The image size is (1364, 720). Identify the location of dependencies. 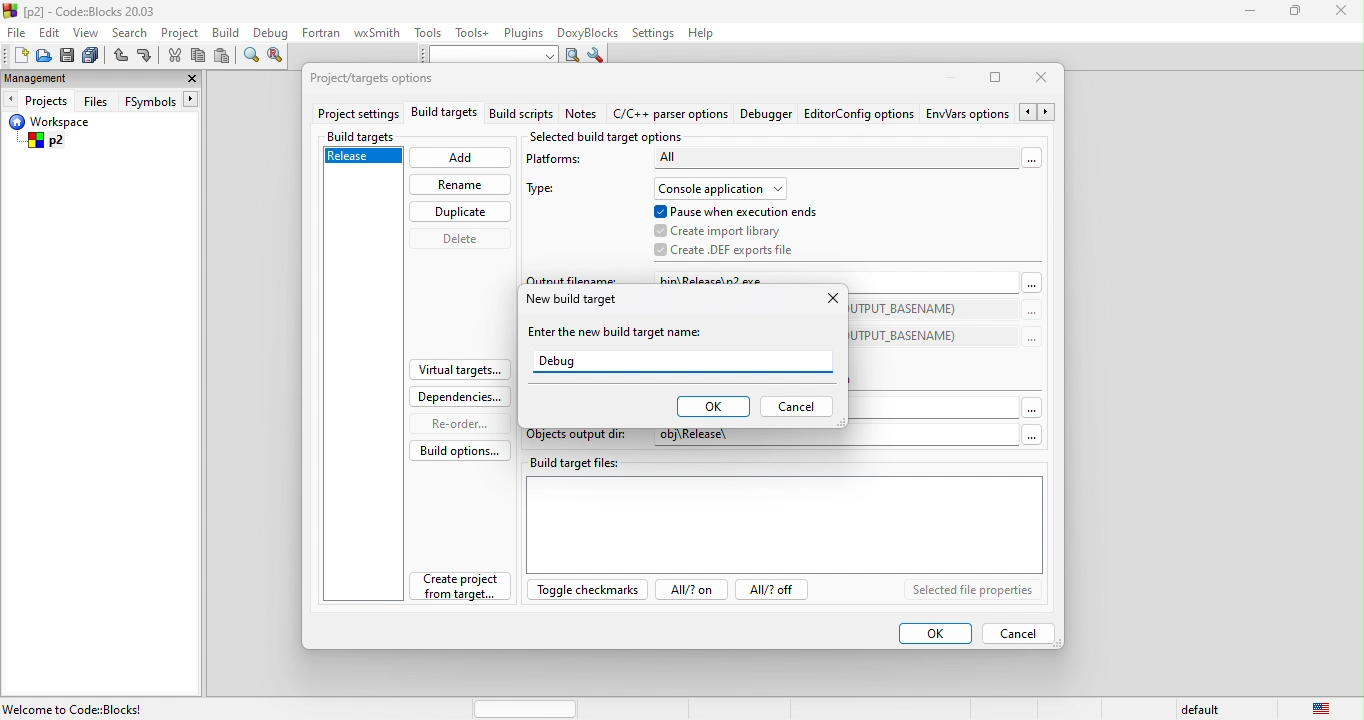
(460, 395).